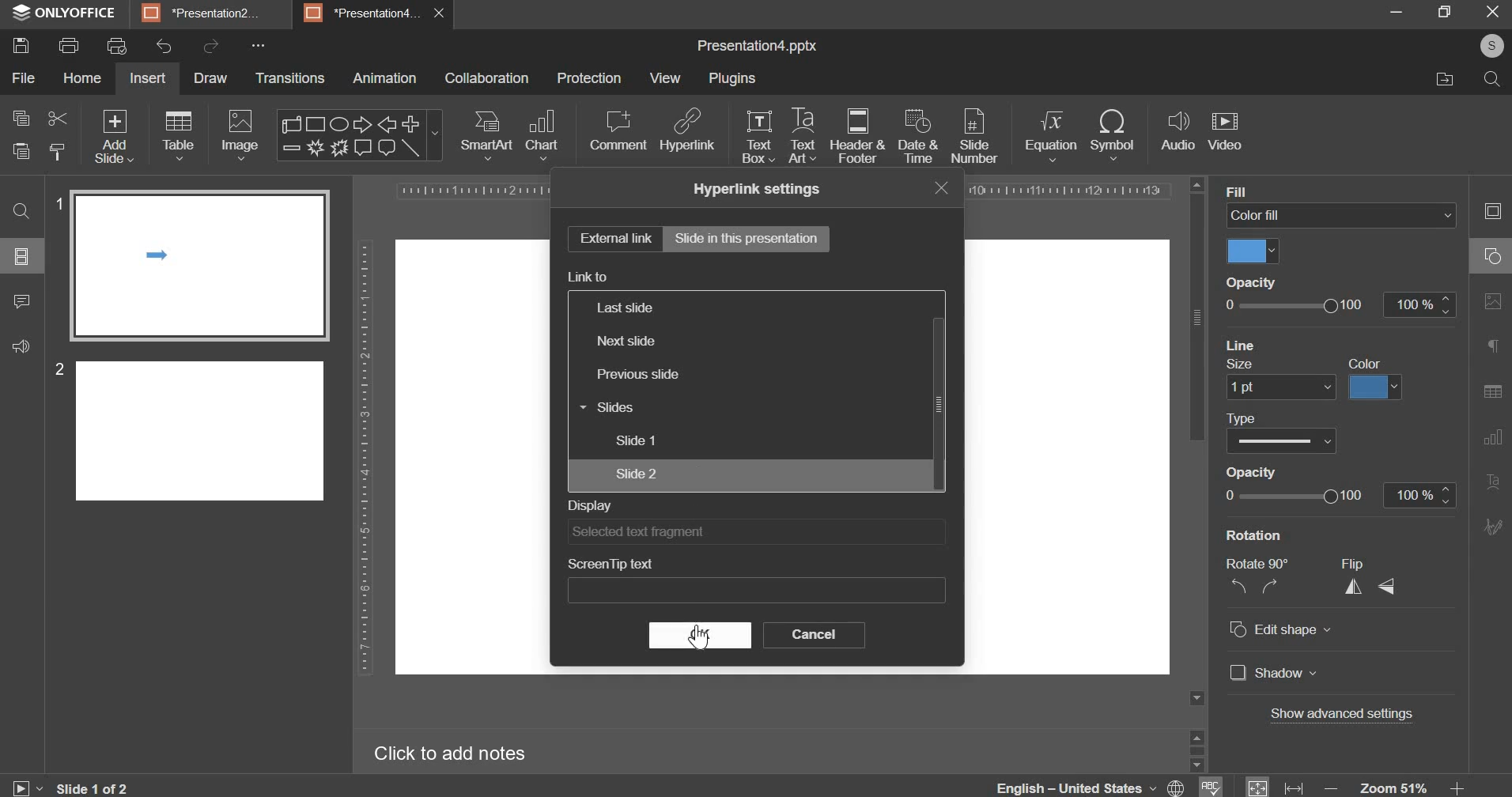  Describe the element at coordinates (71, 45) in the screenshot. I see `print` at that location.